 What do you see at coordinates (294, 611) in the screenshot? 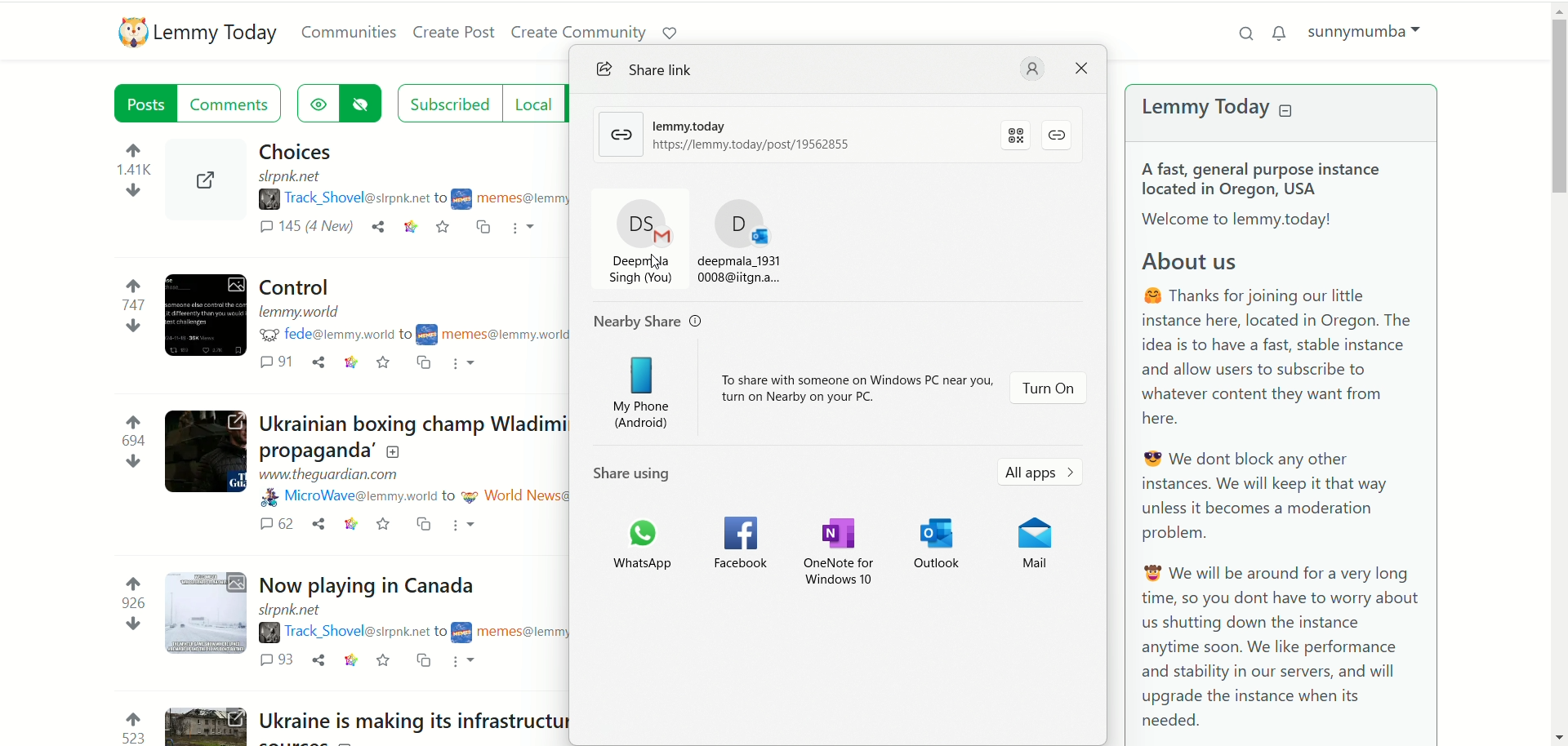
I see `URL` at bounding box center [294, 611].